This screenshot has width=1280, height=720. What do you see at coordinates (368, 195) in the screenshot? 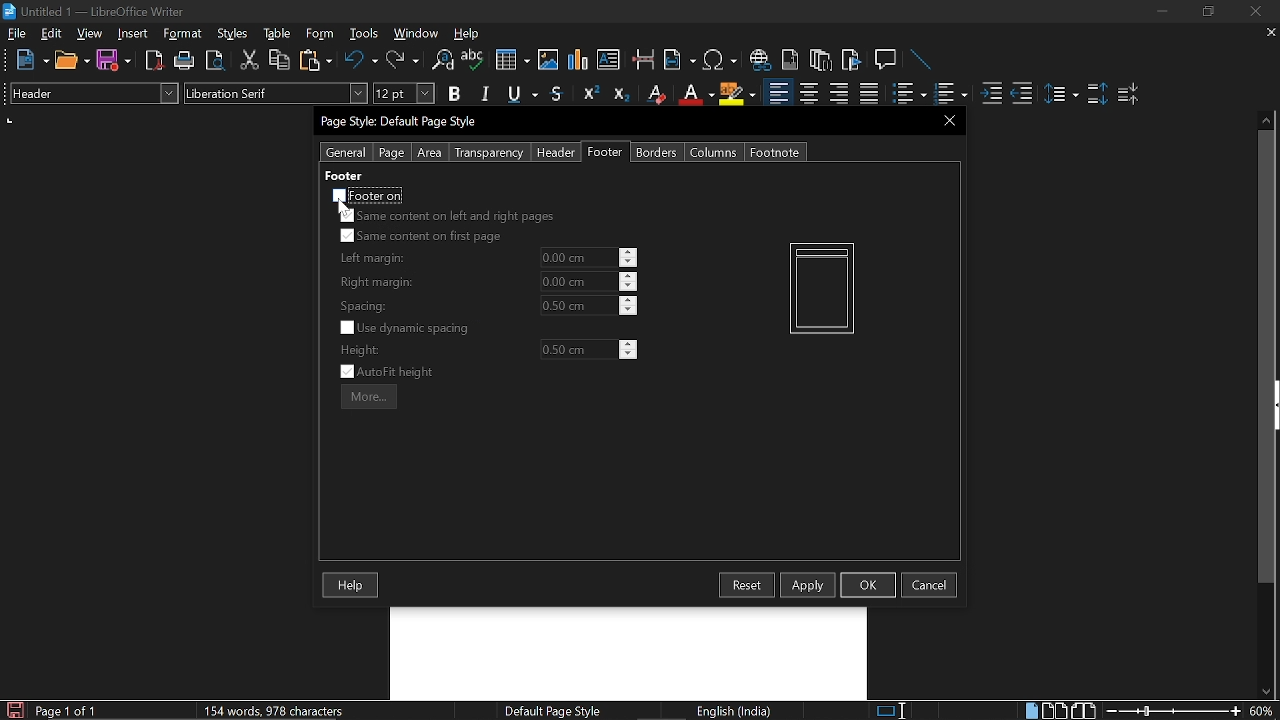
I see `Footer on` at bounding box center [368, 195].